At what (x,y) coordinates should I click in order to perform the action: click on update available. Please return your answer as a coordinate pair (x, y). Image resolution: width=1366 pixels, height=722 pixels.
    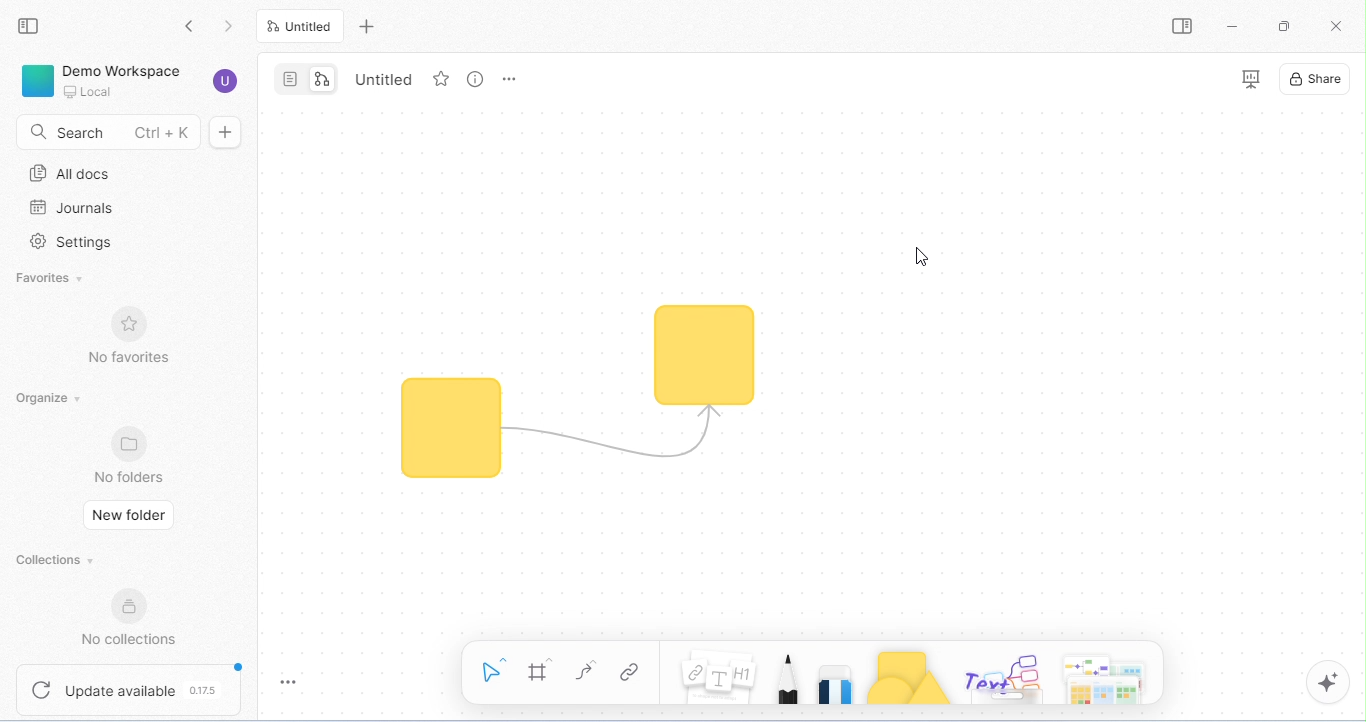
    Looking at the image, I should click on (131, 688).